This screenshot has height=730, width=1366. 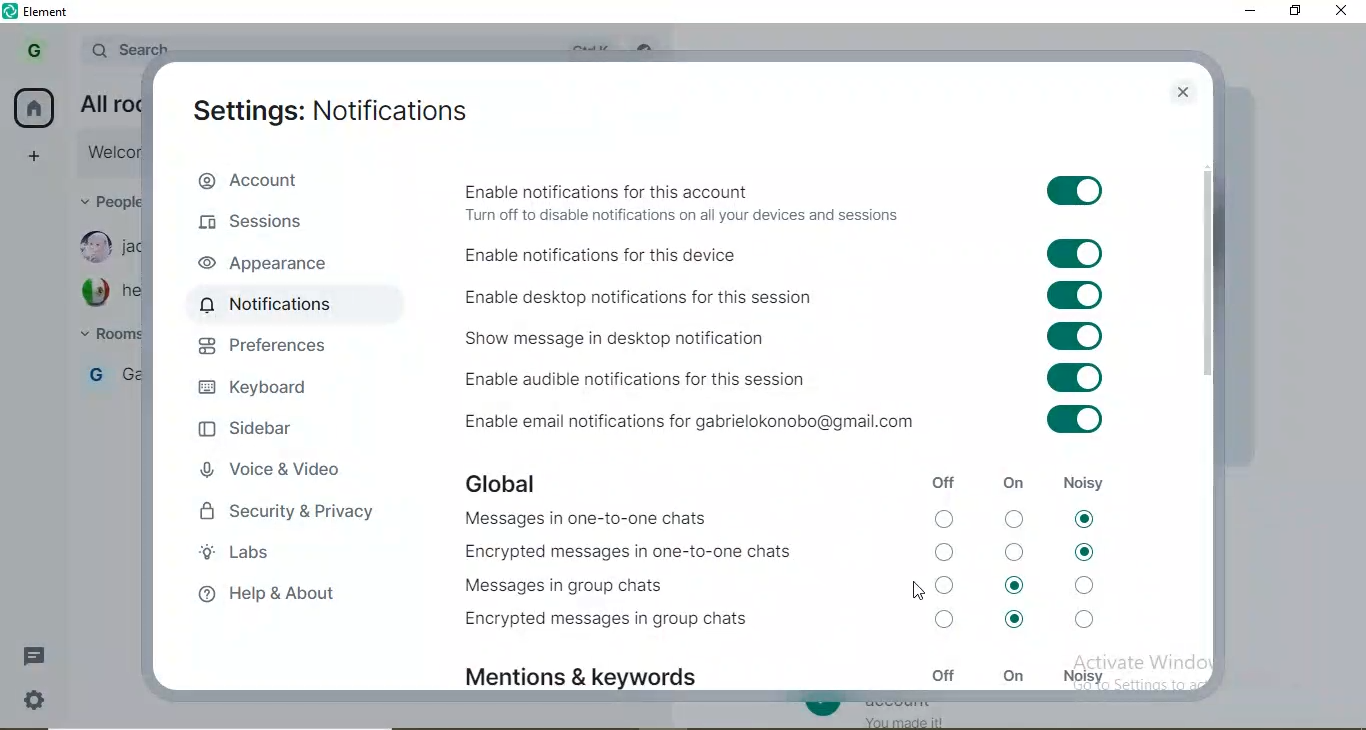 I want to click on on, so click(x=1016, y=481).